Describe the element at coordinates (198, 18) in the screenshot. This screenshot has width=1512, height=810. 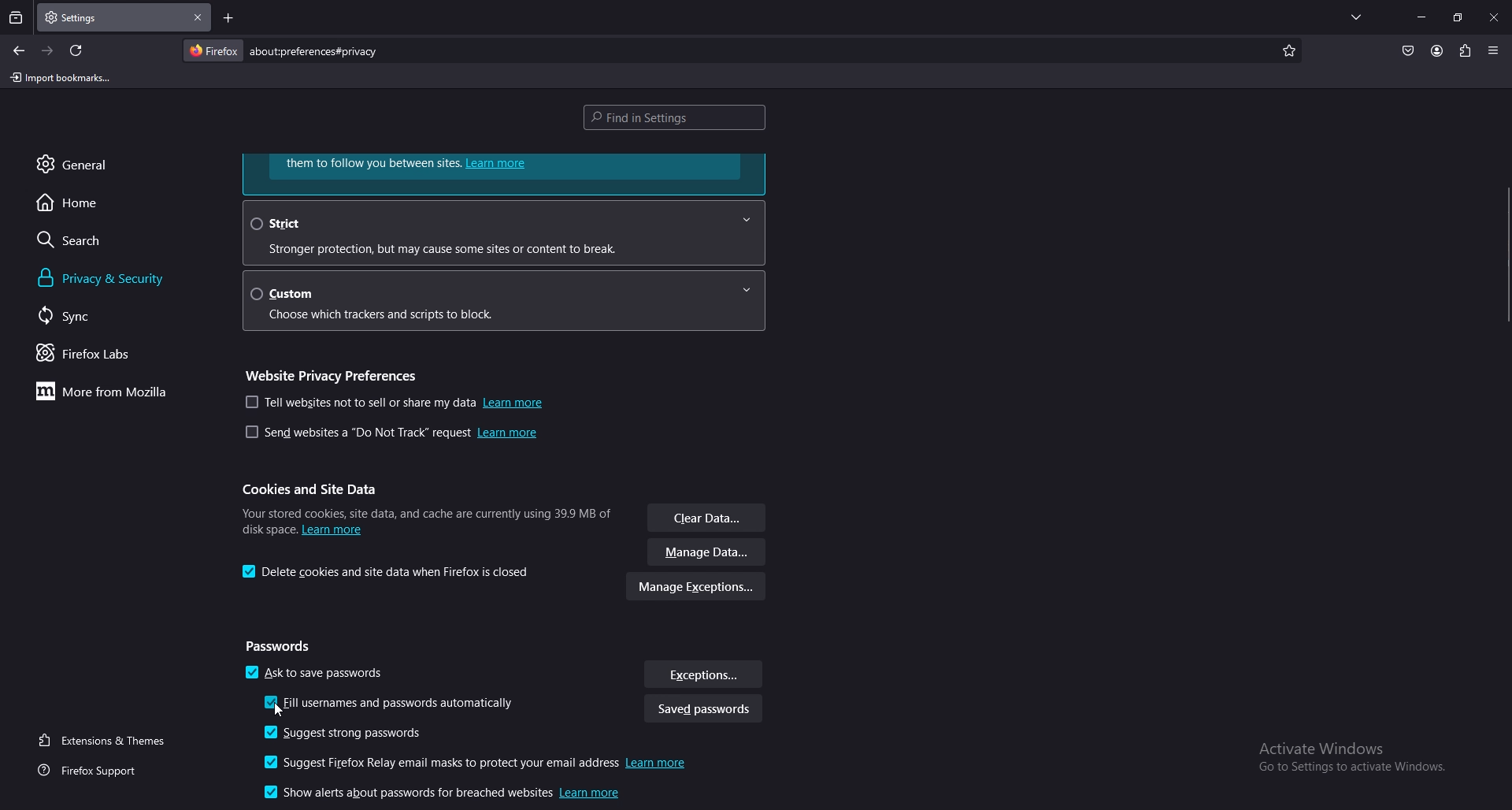
I see `close tab` at that location.